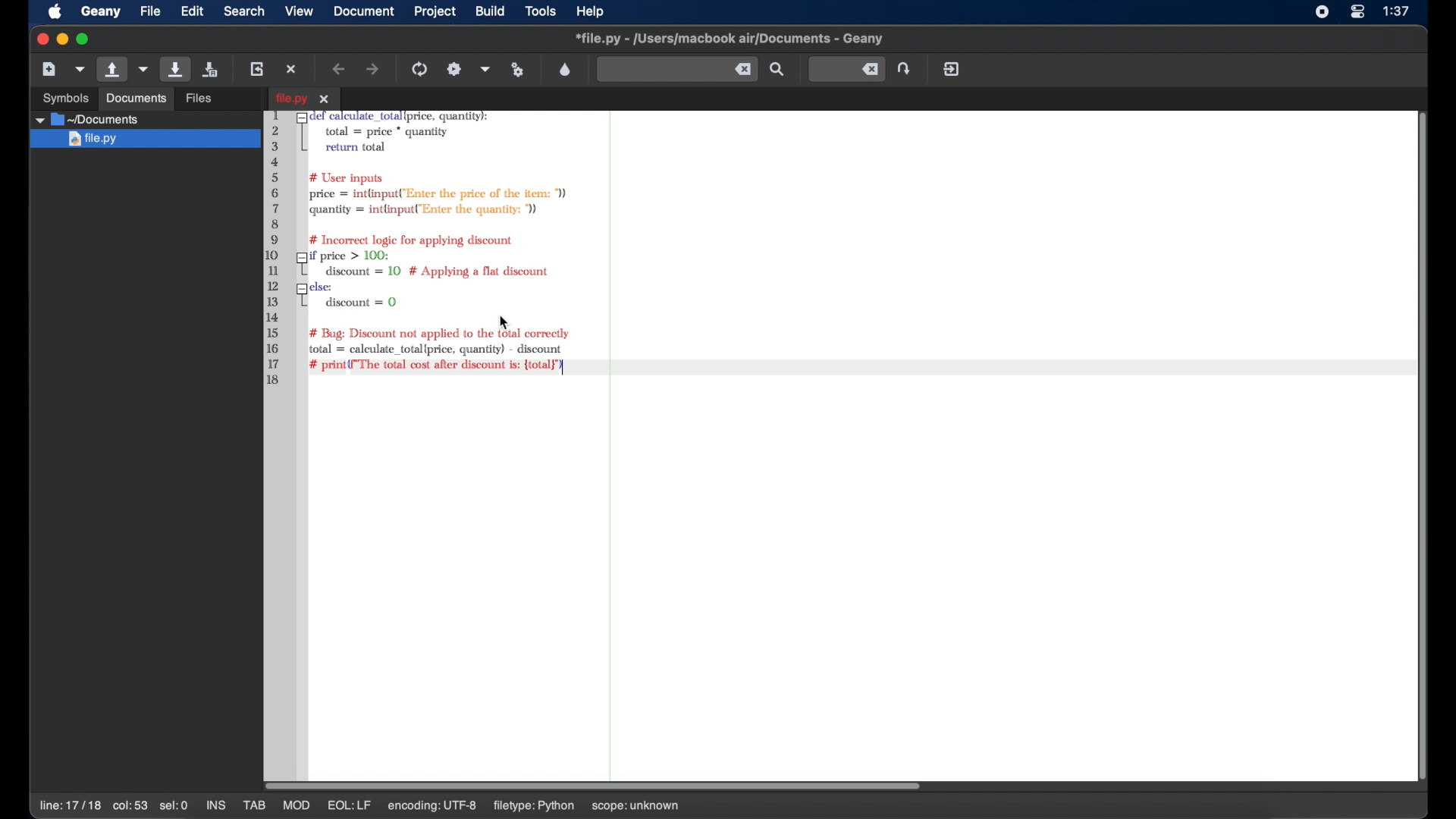 This screenshot has width=1456, height=819. I want to click on run or view current file, so click(519, 69).